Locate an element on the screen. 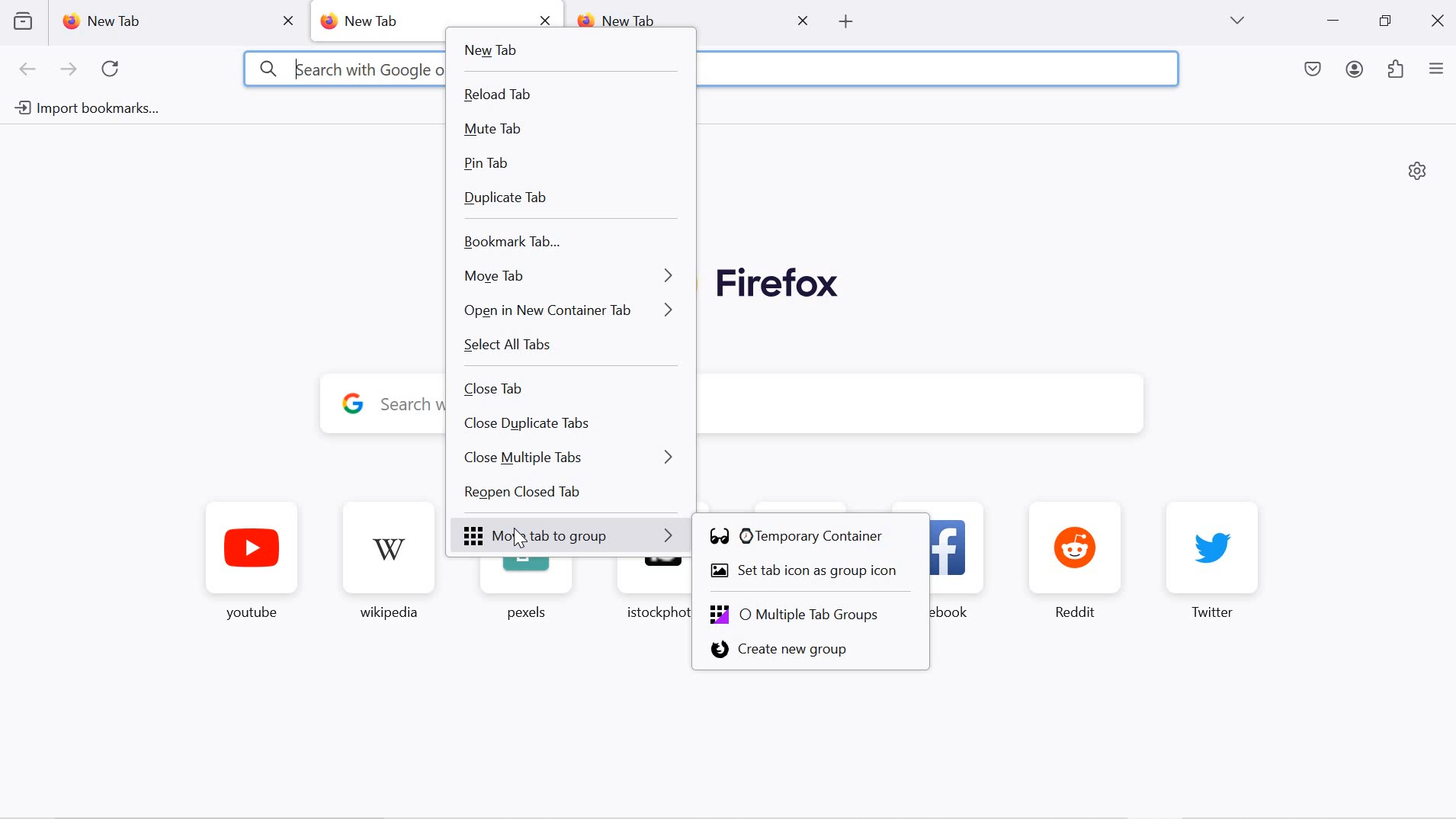 The width and height of the screenshot is (1456, 819). mute tab is located at coordinates (575, 130).